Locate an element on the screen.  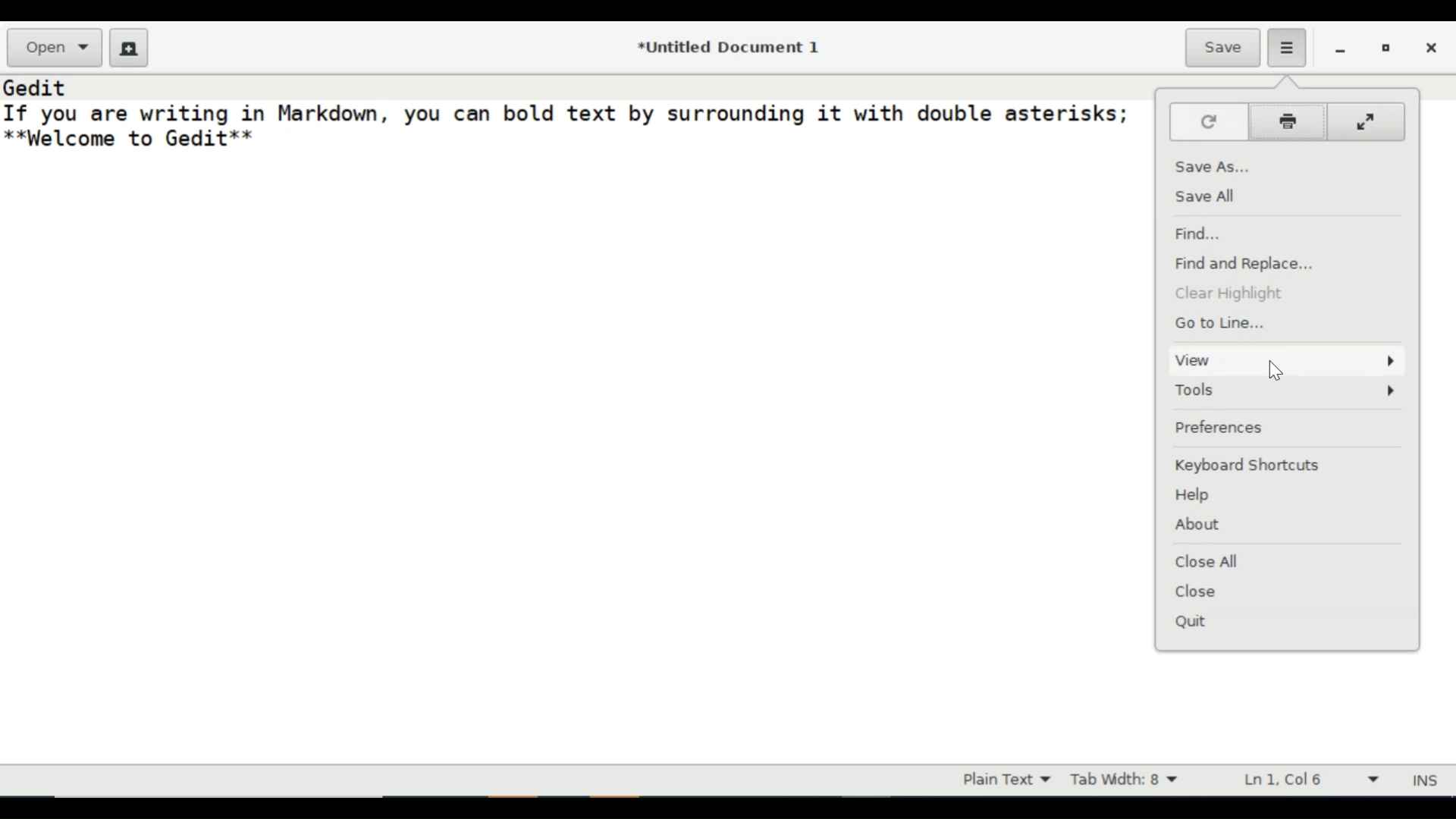
View is located at coordinates (1285, 359).